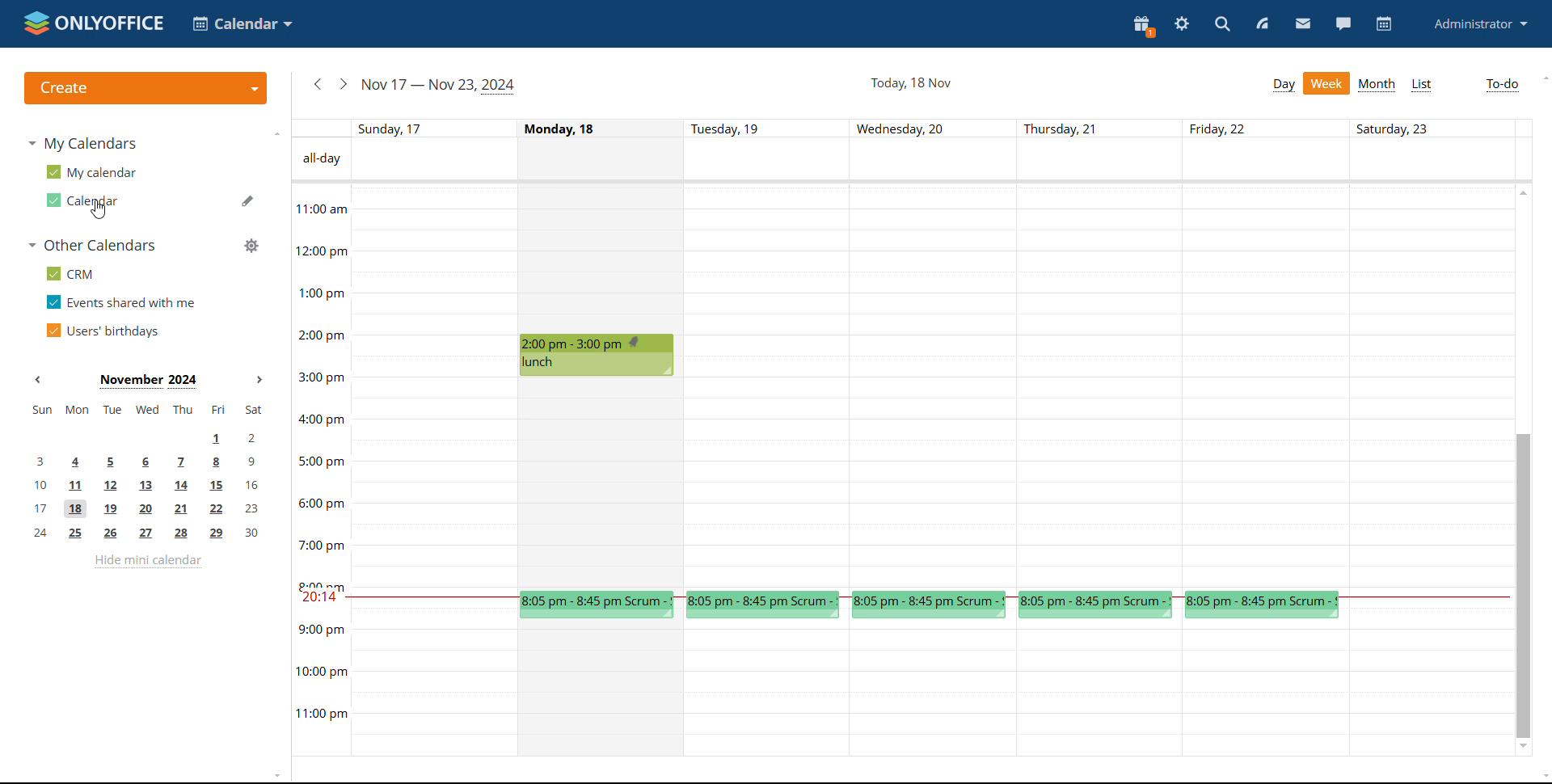 The height and width of the screenshot is (784, 1552). What do you see at coordinates (1542, 778) in the screenshot?
I see `scroll down` at bounding box center [1542, 778].